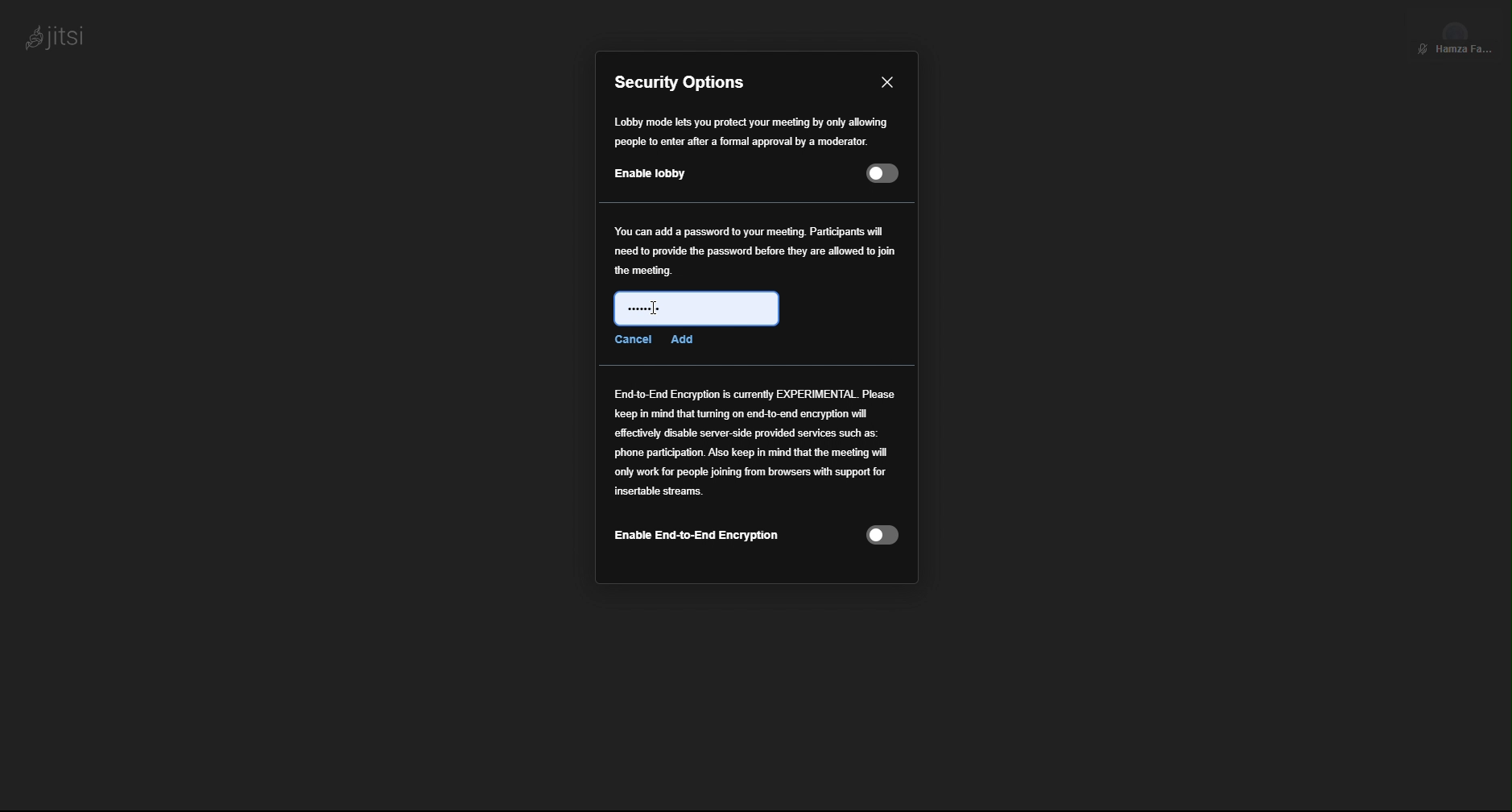 This screenshot has width=1512, height=812. I want to click on Participant View, so click(1456, 34).